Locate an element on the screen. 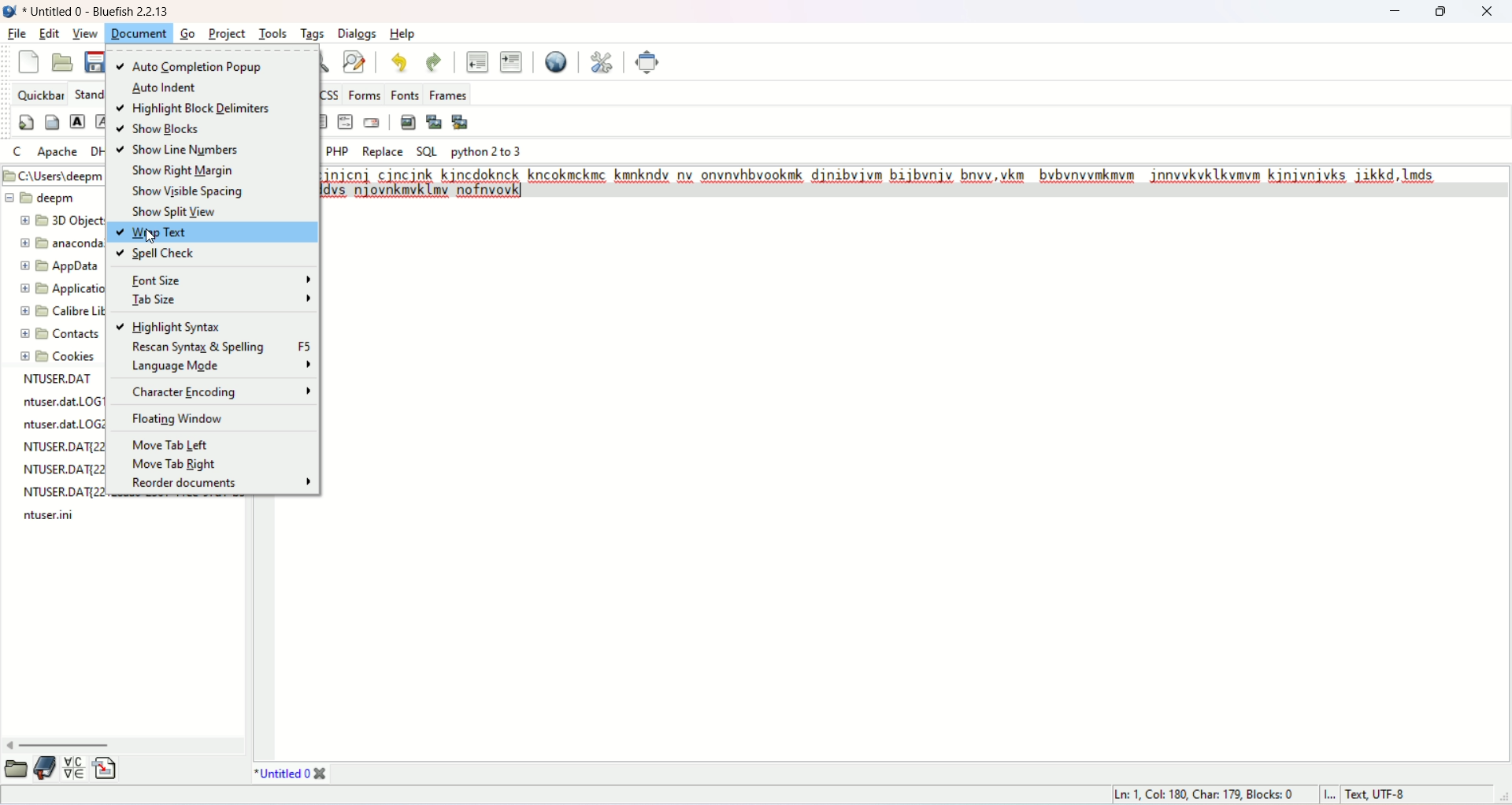 This screenshot has width=1512, height=805. spell check is located at coordinates (157, 254).